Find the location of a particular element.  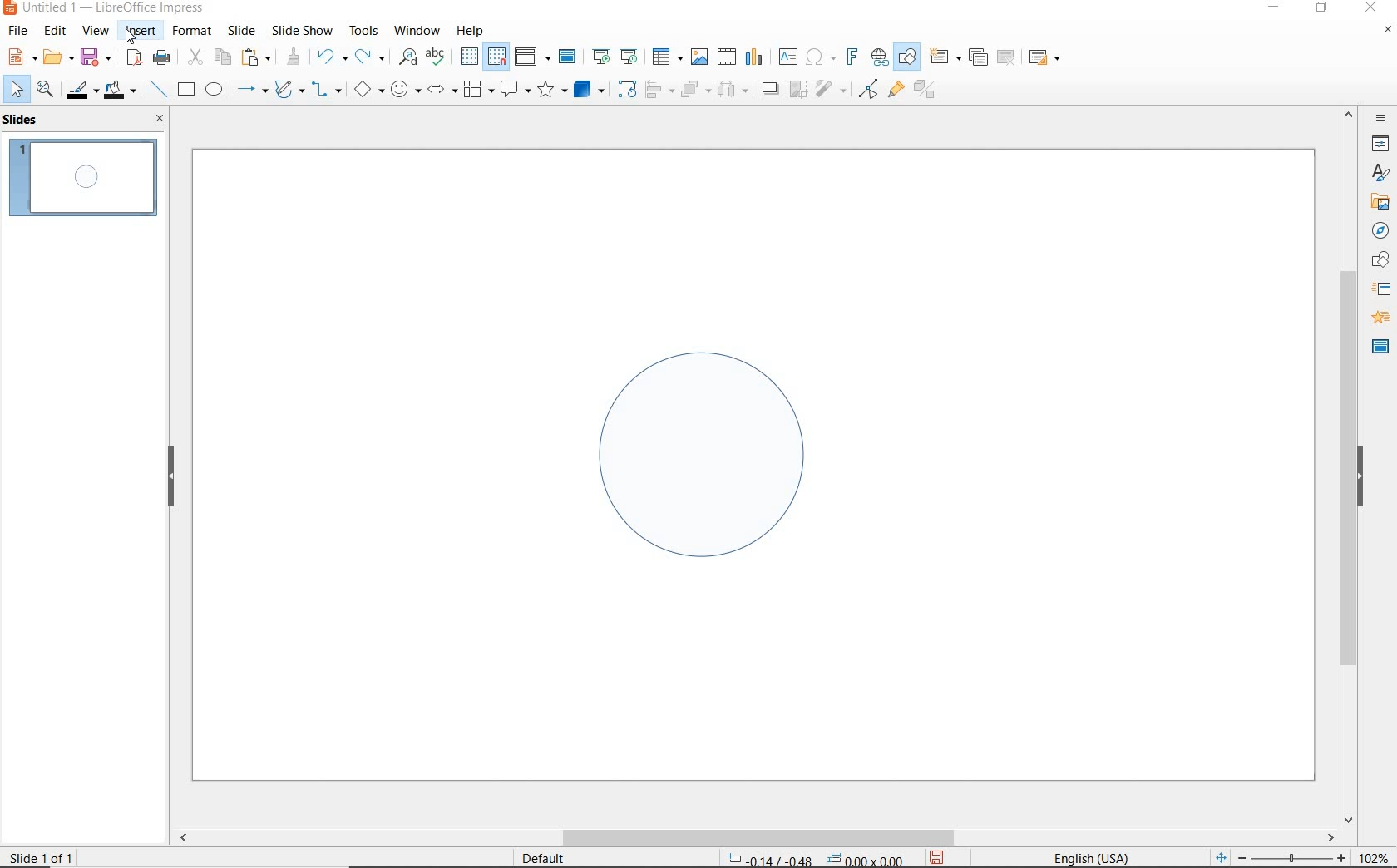

show draw functions is located at coordinates (907, 57).